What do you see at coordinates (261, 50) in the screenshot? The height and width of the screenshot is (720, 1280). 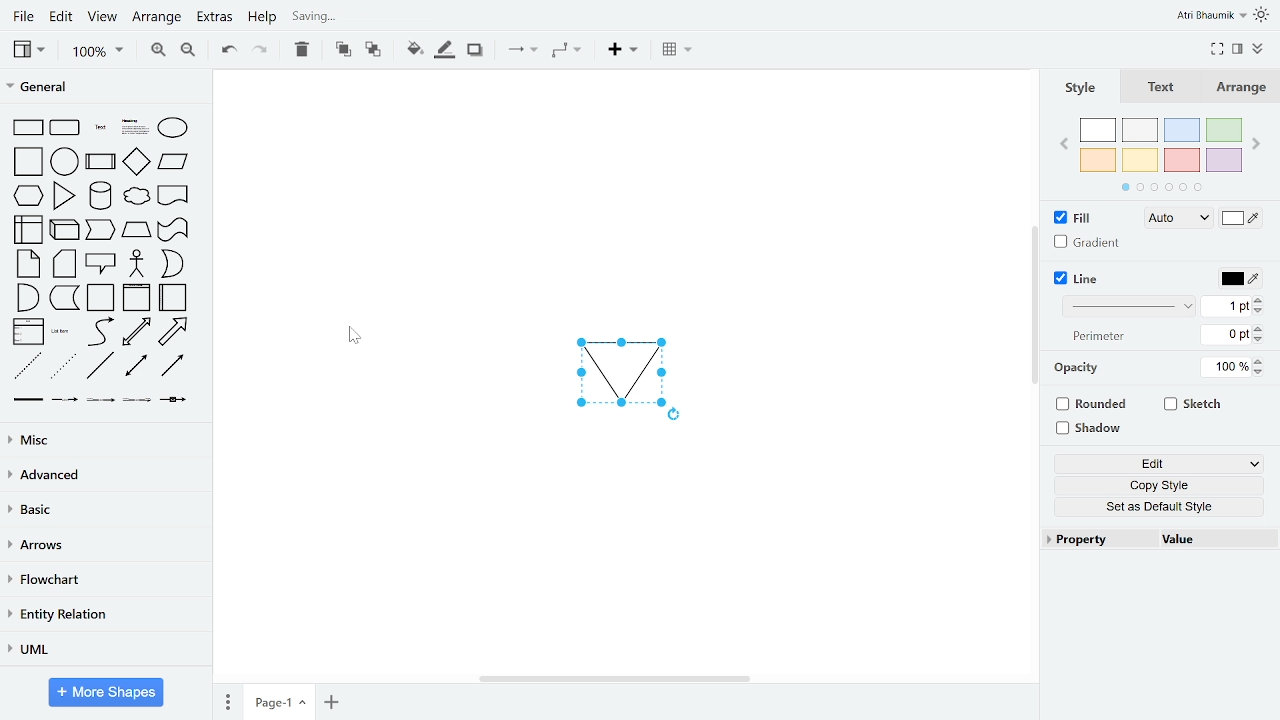 I see `redo` at bounding box center [261, 50].